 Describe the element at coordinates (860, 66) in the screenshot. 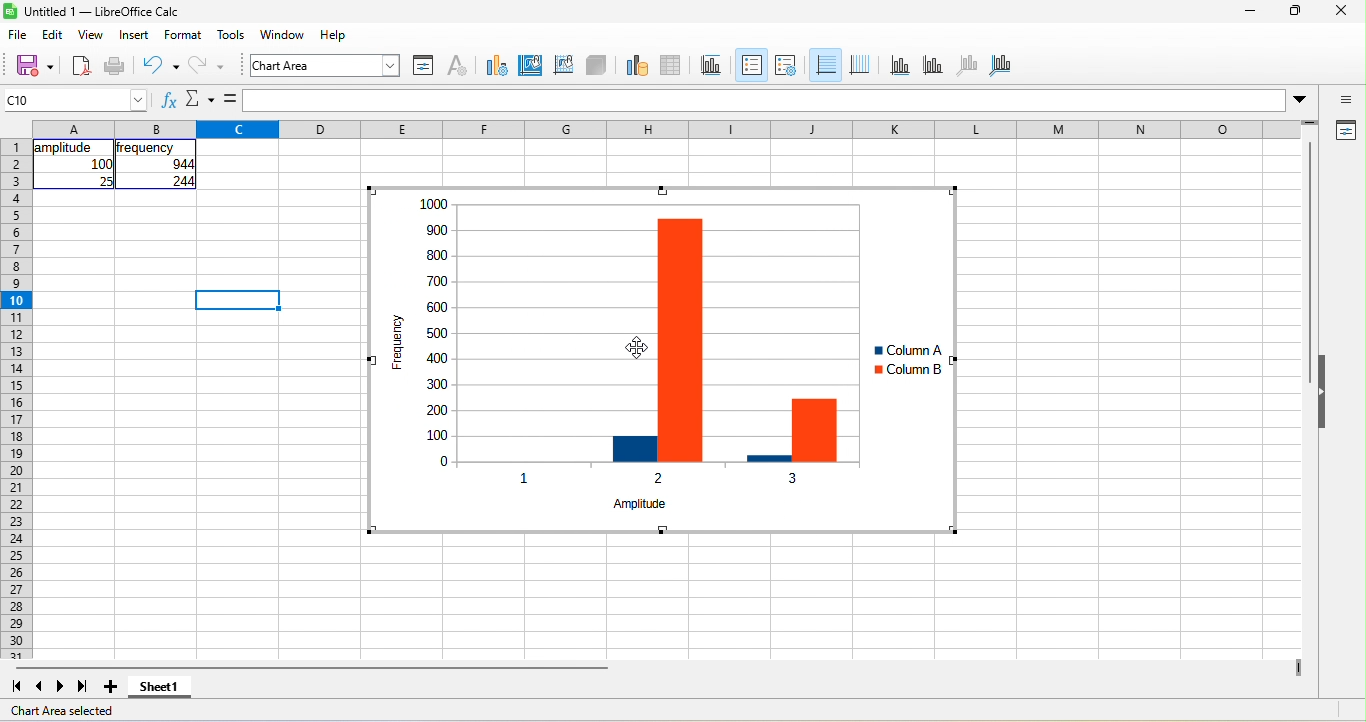

I see `vertical grids` at that location.